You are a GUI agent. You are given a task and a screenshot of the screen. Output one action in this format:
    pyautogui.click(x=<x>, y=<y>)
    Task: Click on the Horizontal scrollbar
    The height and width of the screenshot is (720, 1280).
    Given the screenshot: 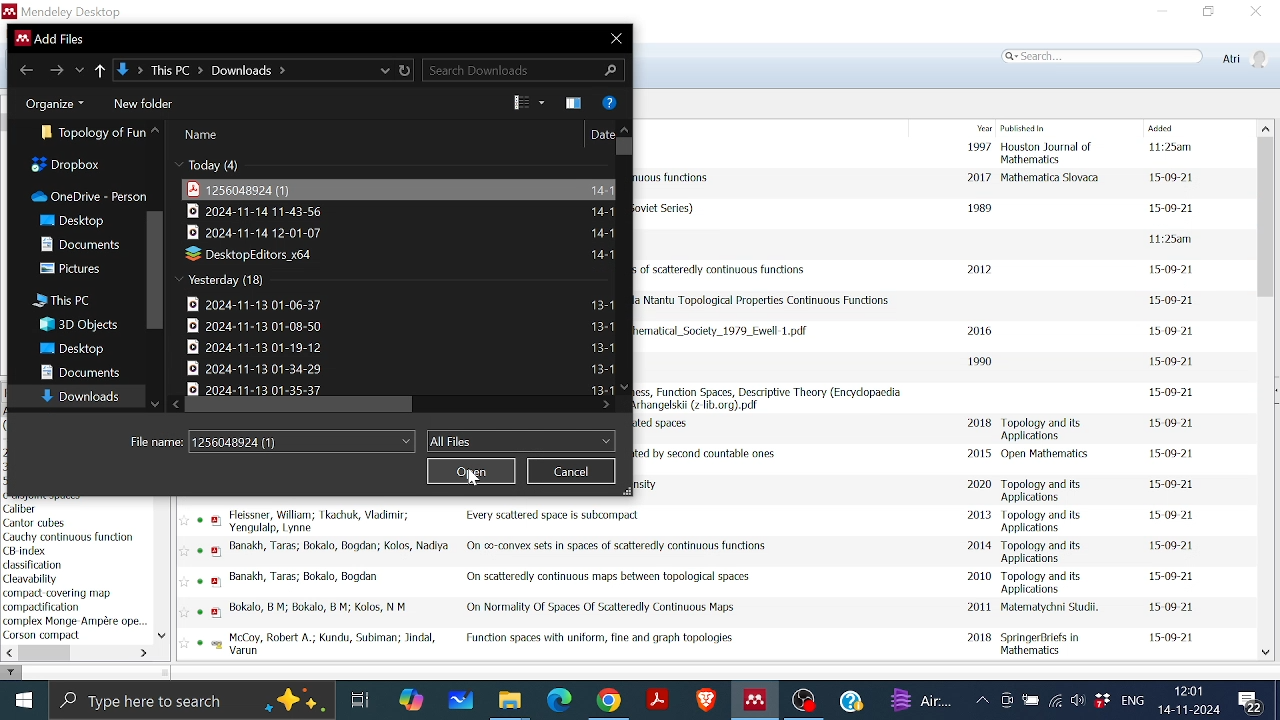 What is the action you would take?
    pyautogui.click(x=45, y=654)
    